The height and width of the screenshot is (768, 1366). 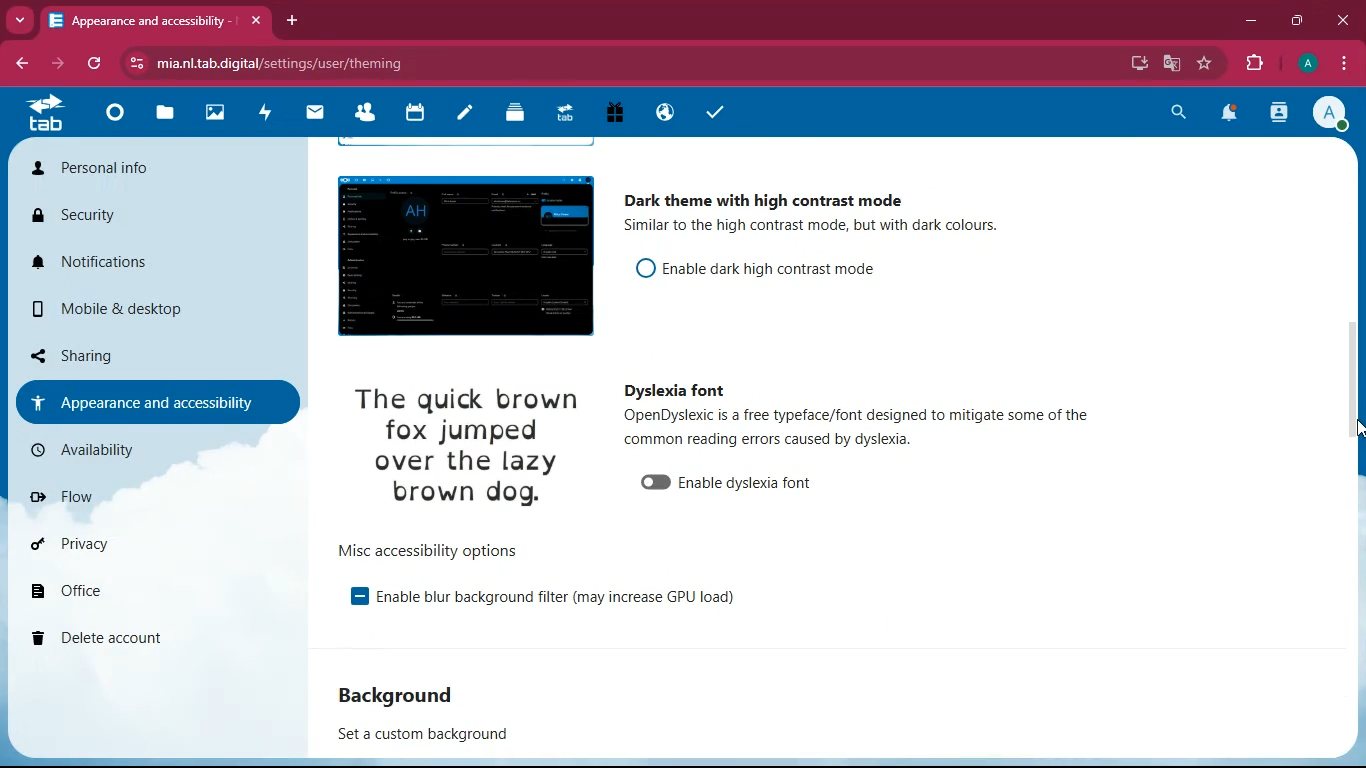 What do you see at coordinates (1357, 386) in the screenshot?
I see `scroll bar` at bounding box center [1357, 386].